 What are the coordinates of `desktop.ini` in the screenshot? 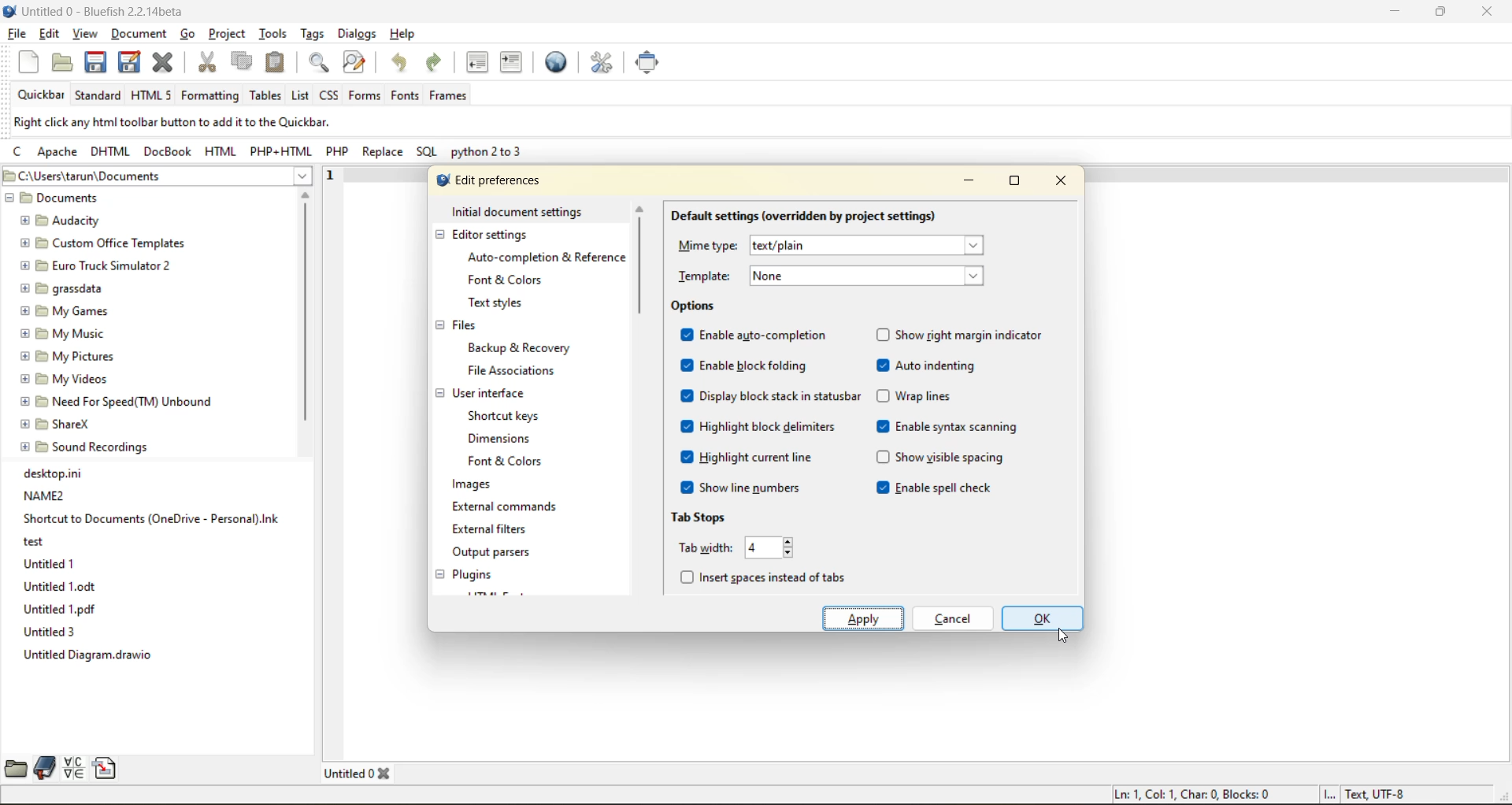 It's located at (57, 473).